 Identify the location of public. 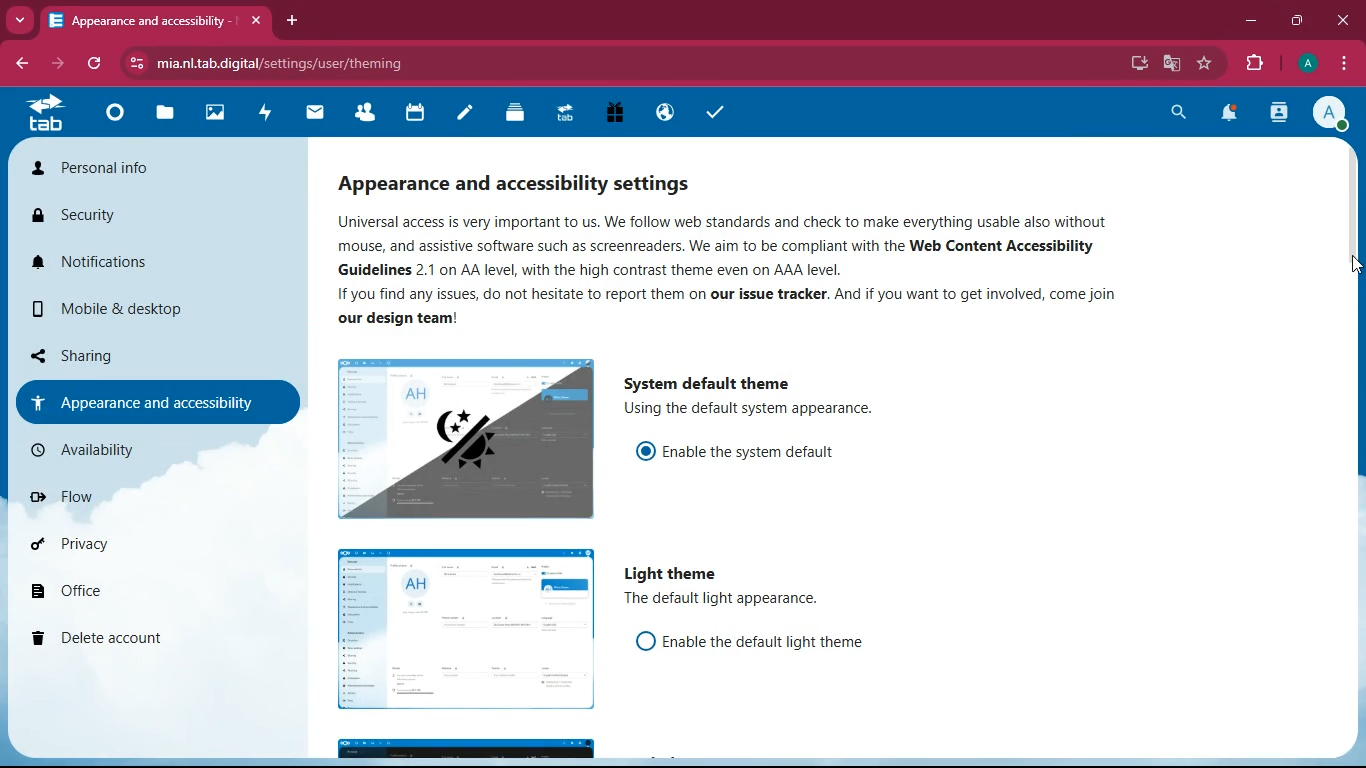
(662, 114).